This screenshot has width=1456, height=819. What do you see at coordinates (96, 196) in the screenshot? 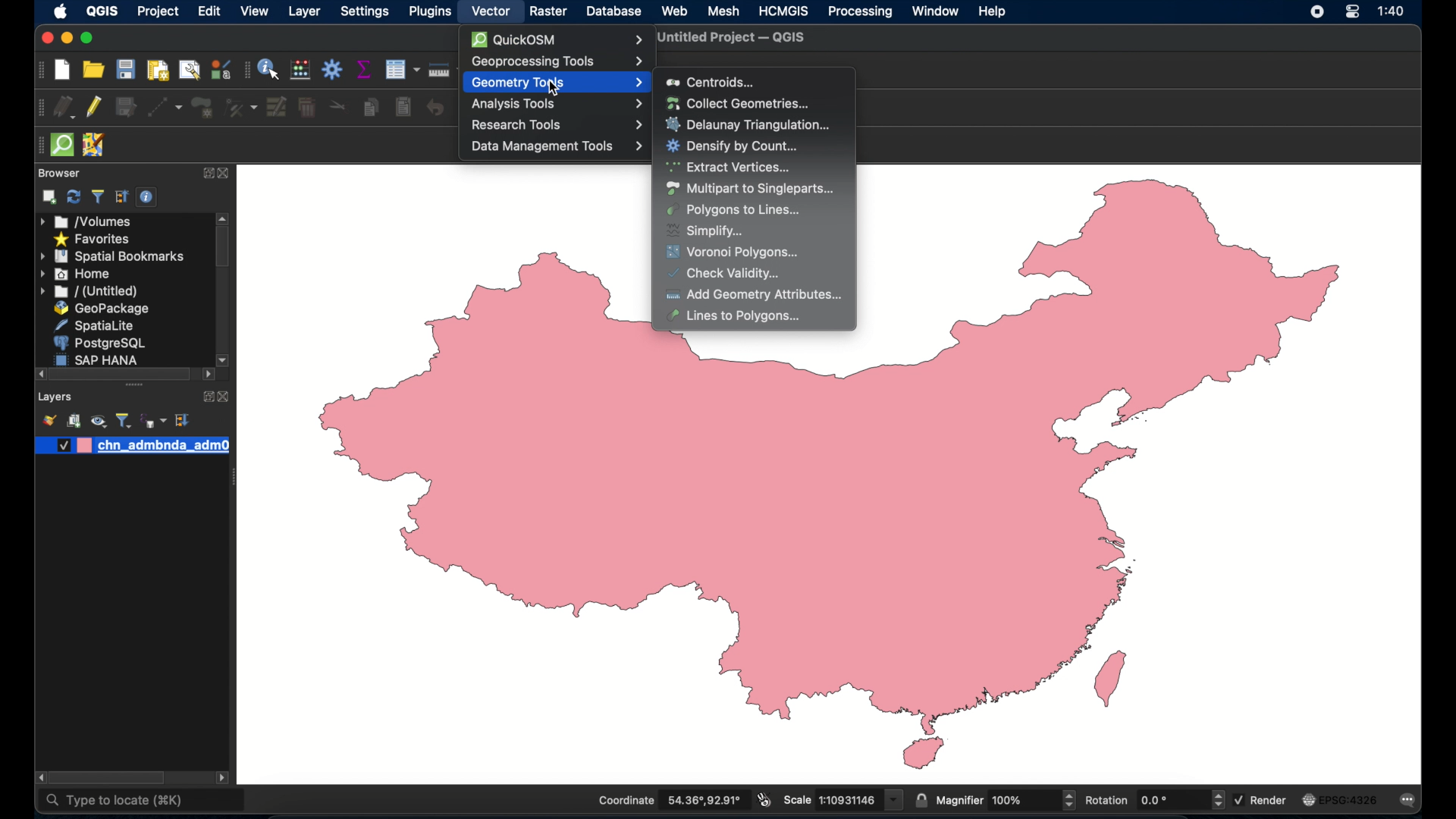
I see `filter bowser` at bounding box center [96, 196].